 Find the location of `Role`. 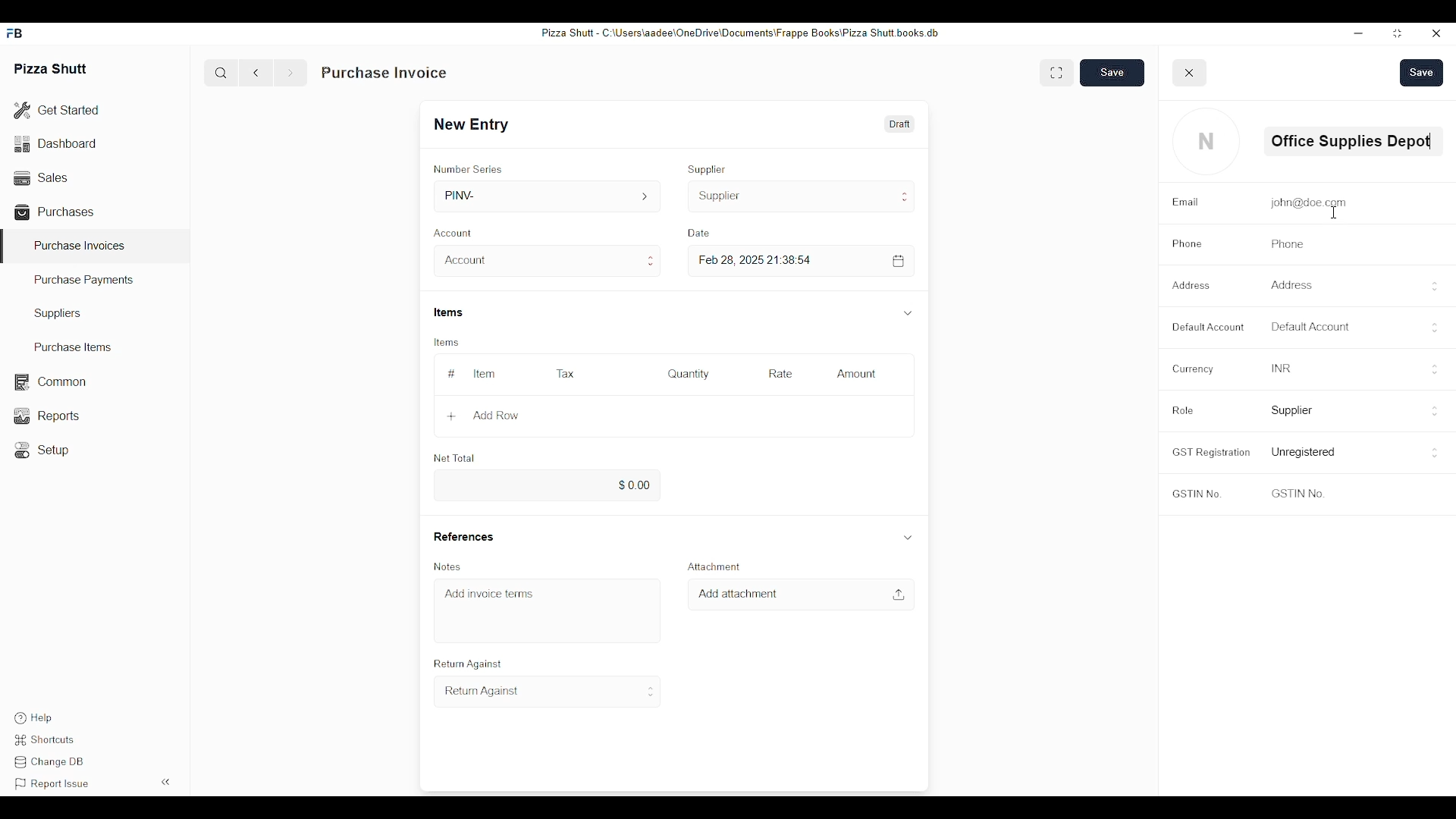

Role is located at coordinates (1182, 410).